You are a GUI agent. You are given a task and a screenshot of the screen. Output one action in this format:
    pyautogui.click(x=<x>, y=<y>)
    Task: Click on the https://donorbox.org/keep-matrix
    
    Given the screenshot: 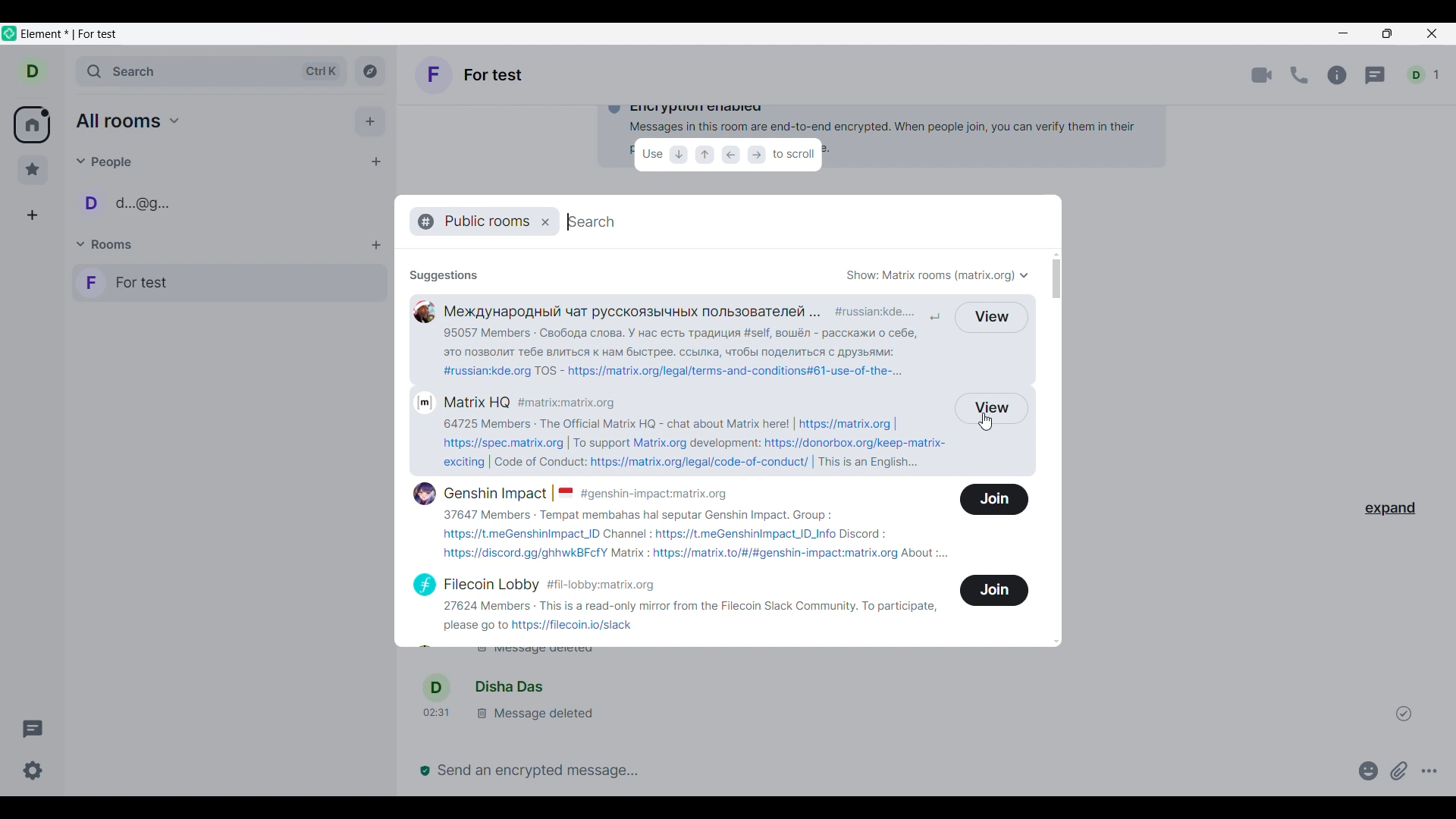 What is the action you would take?
    pyautogui.click(x=859, y=443)
    